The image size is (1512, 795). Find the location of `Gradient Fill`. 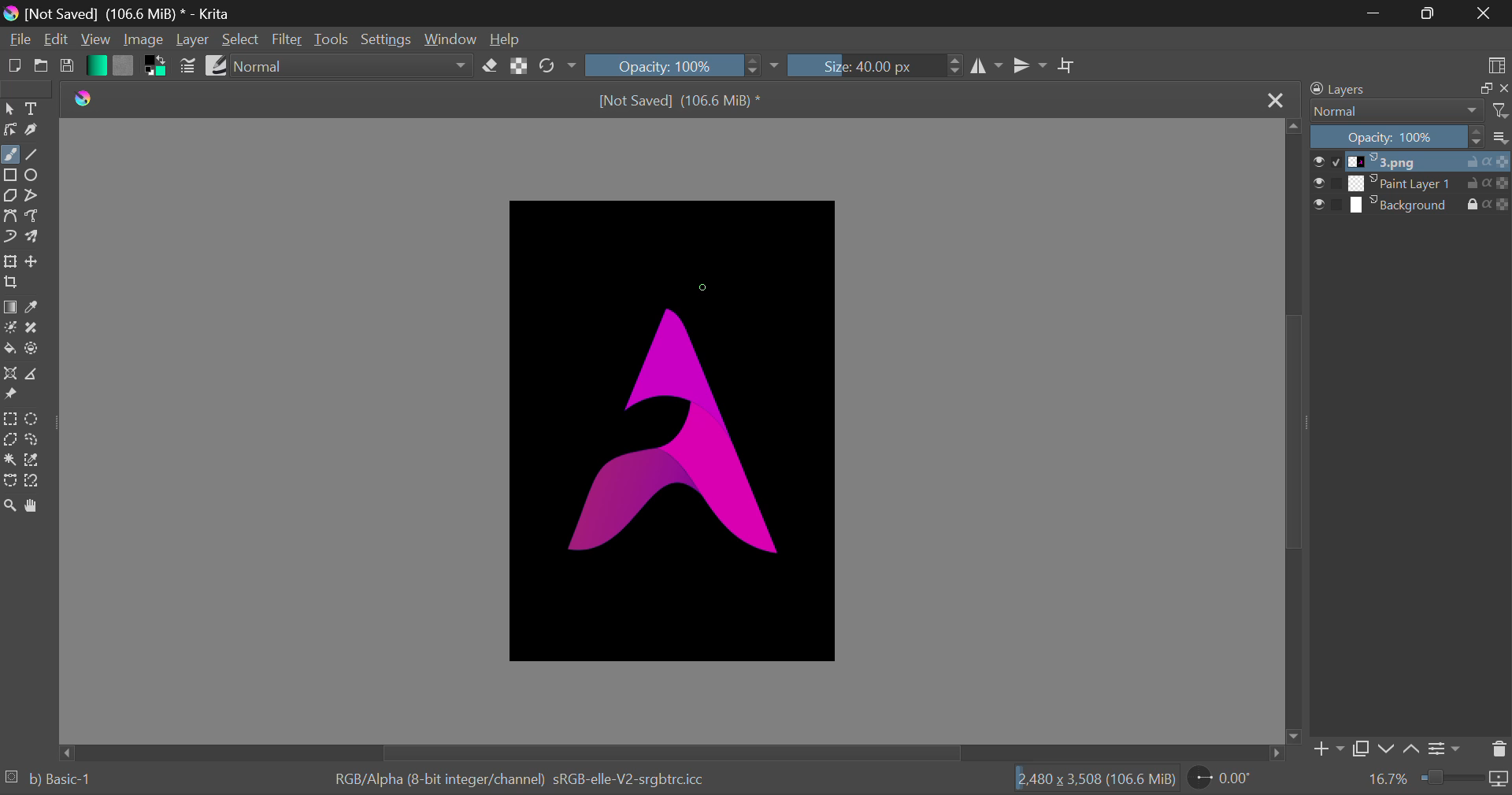

Gradient Fill is located at coordinates (10, 307).